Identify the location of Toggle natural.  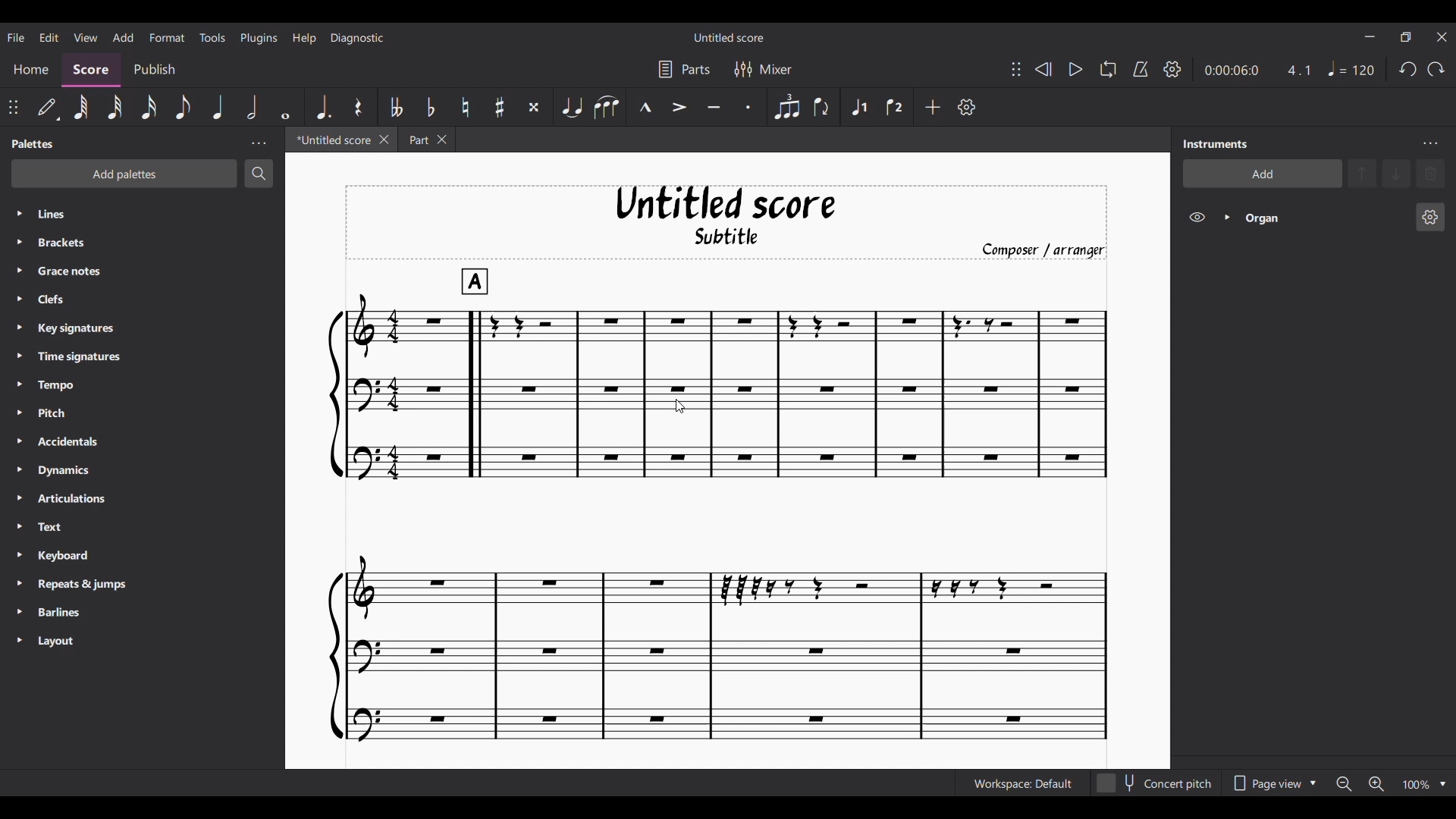
(466, 108).